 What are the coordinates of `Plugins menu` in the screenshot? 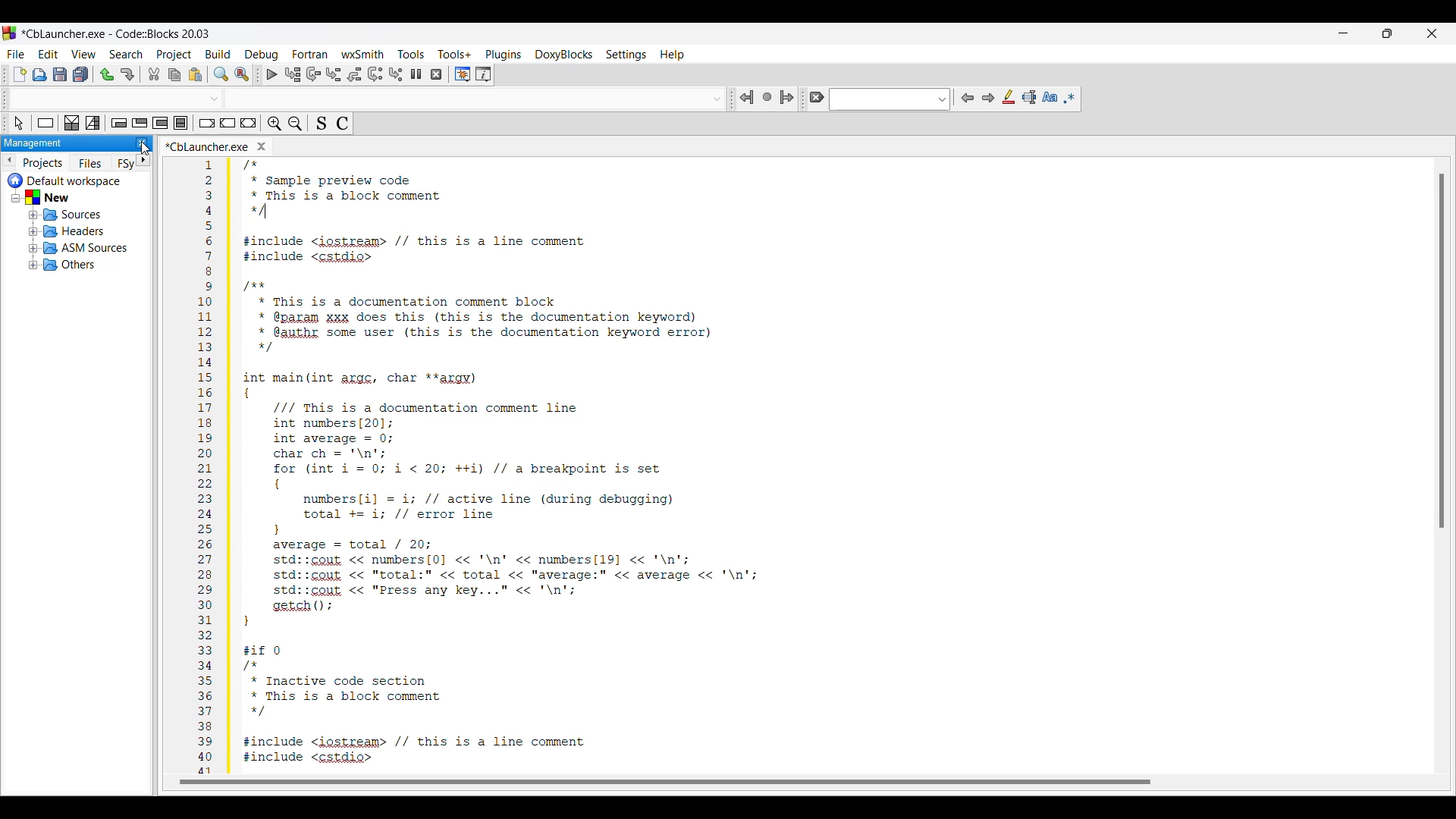 It's located at (503, 55).